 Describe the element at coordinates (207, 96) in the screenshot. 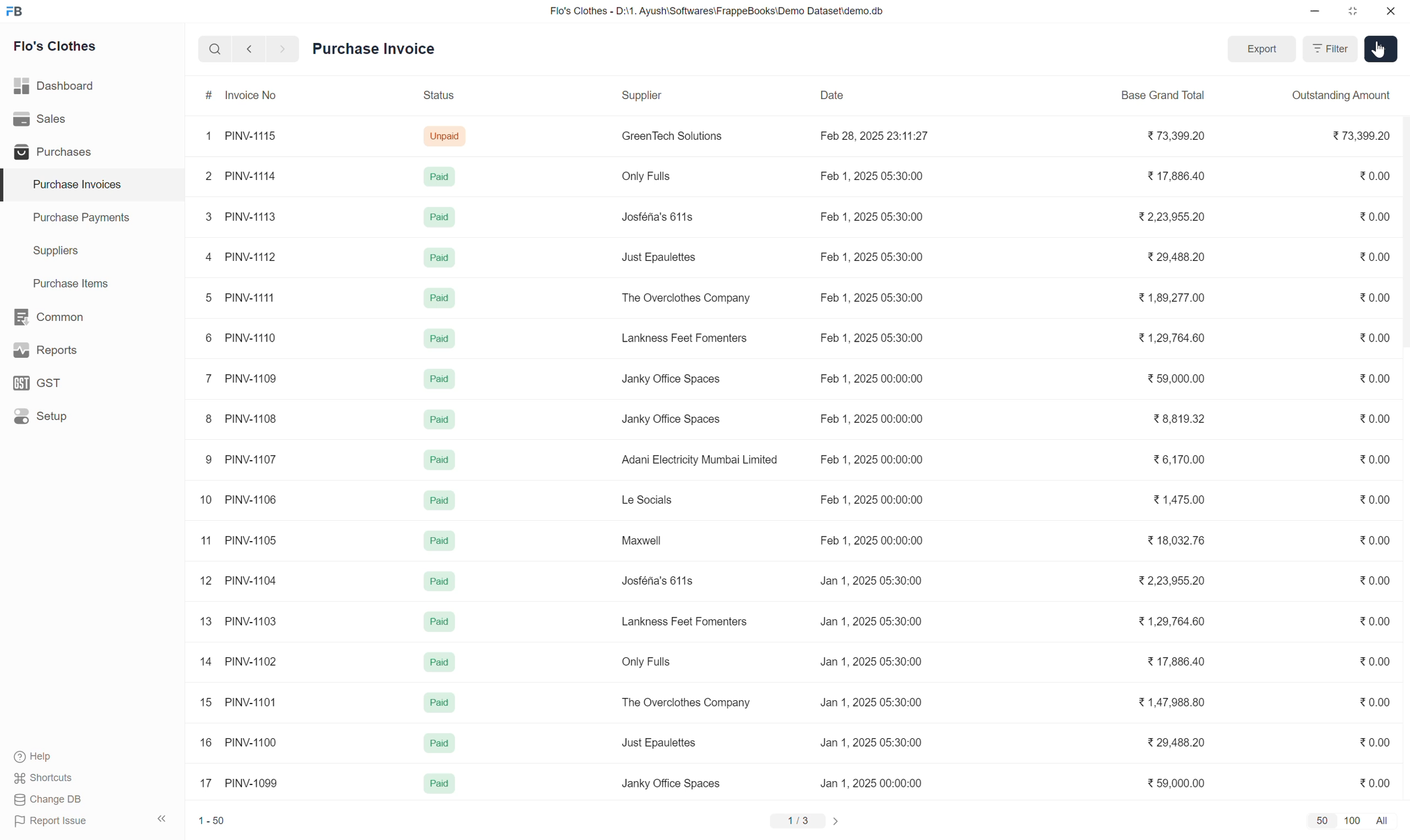

I see `#` at that location.